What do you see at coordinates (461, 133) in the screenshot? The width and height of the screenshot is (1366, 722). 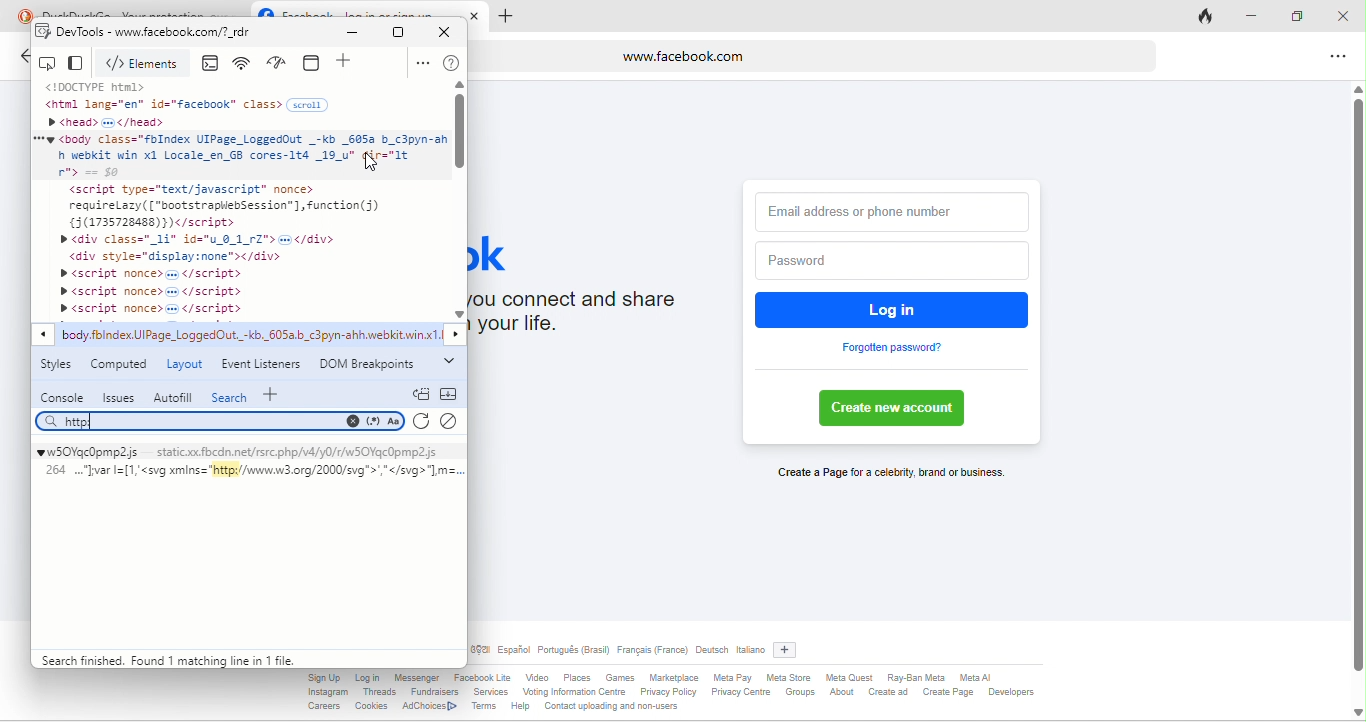 I see `vertical scroll bar` at bounding box center [461, 133].